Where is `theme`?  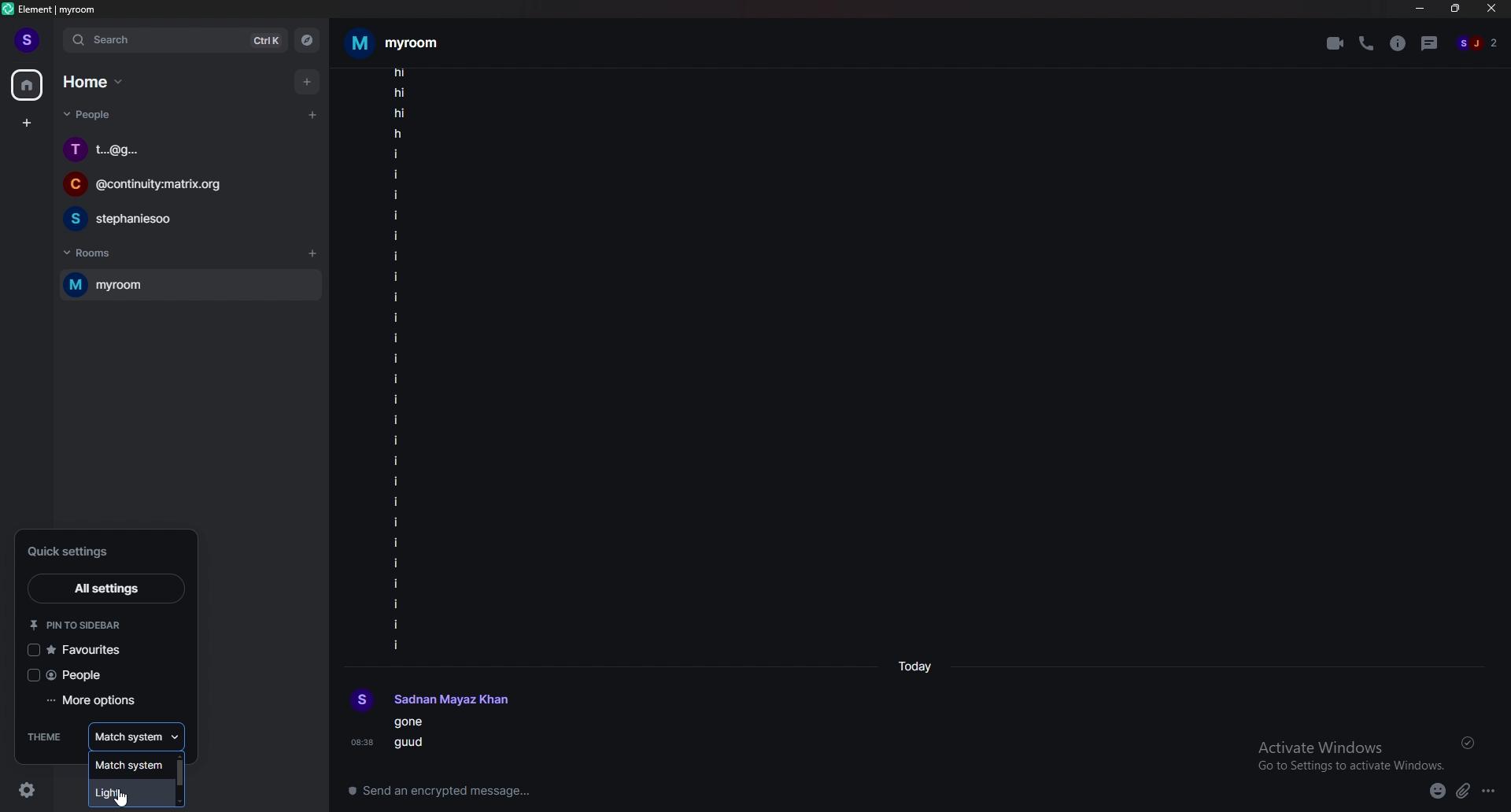
theme is located at coordinates (130, 766).